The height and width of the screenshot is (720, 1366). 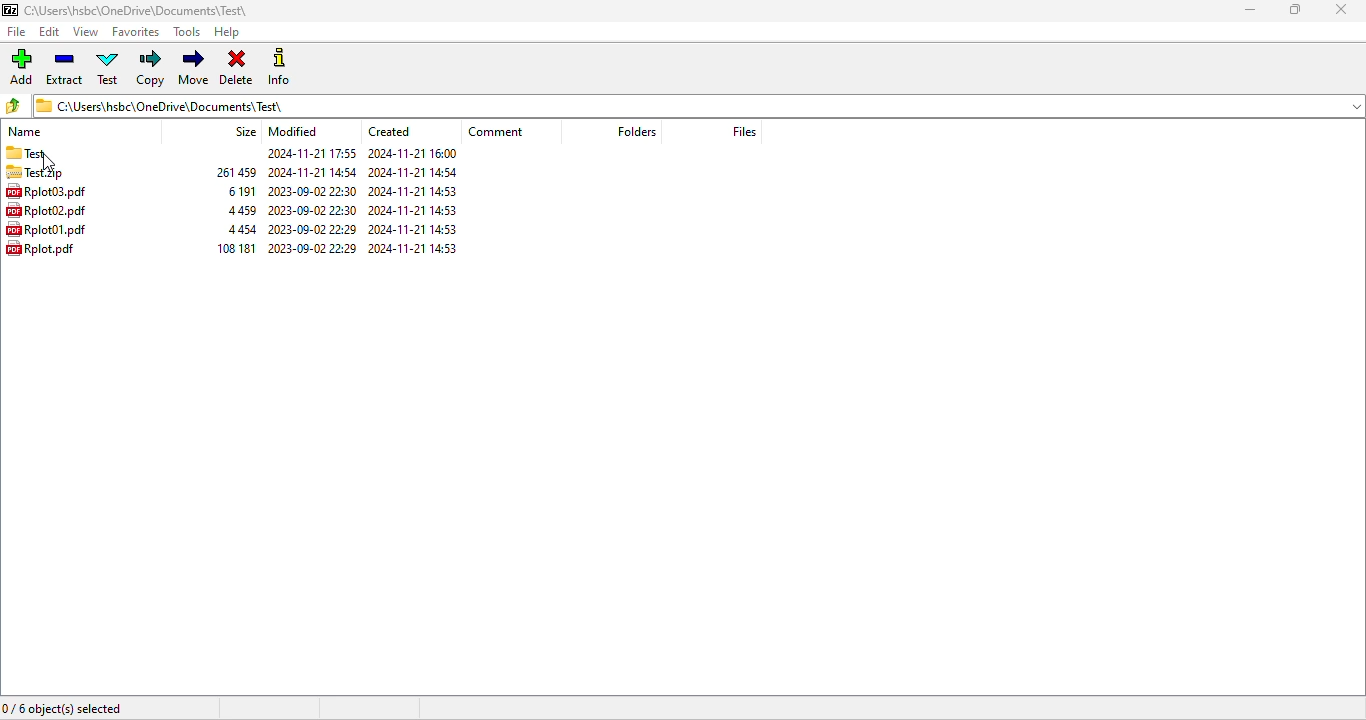 I want to click on 2023-09-02 22:29, so click(x=313, y=250).